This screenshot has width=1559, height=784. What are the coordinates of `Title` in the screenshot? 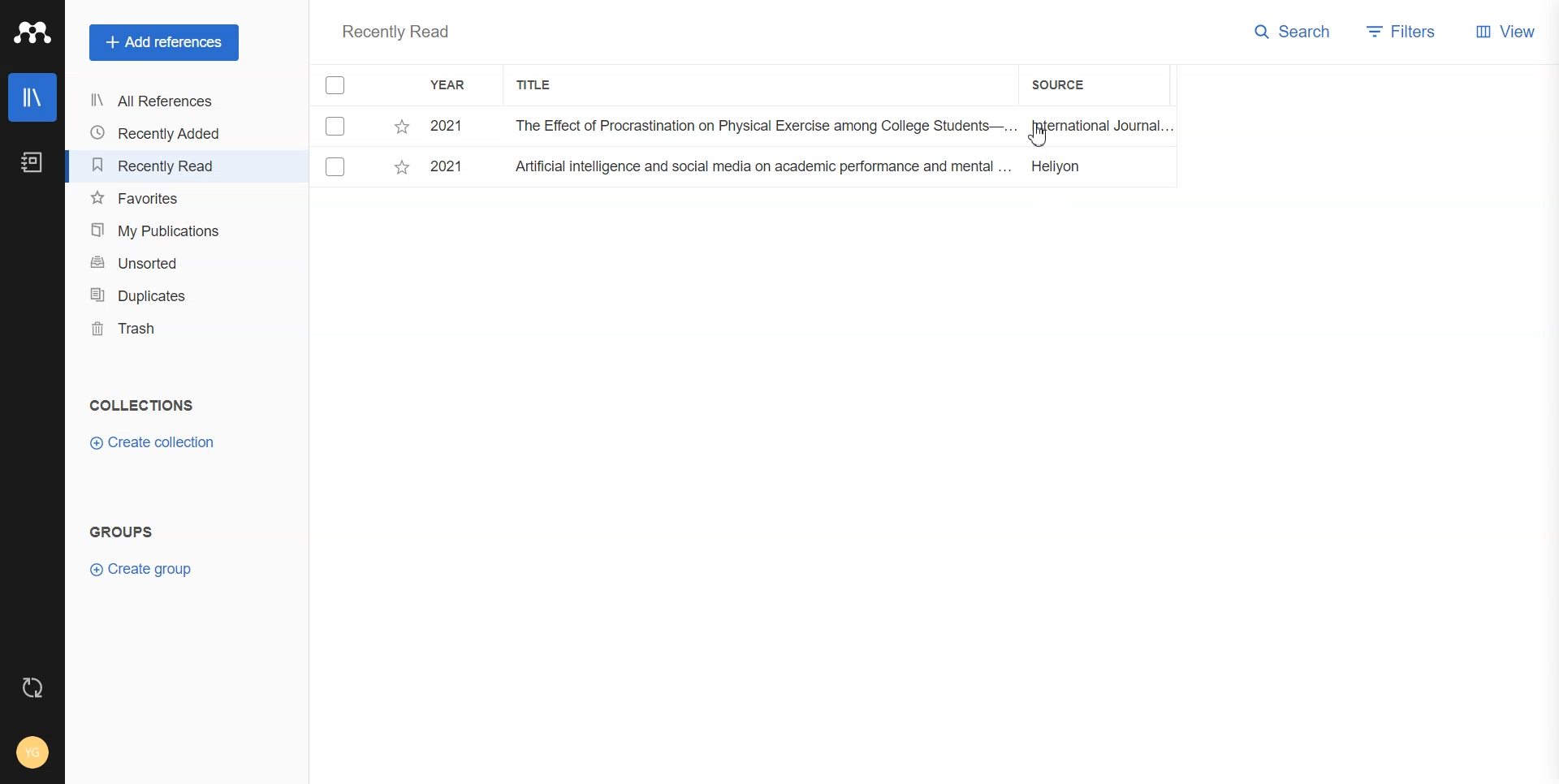 It's located at (535, 85).